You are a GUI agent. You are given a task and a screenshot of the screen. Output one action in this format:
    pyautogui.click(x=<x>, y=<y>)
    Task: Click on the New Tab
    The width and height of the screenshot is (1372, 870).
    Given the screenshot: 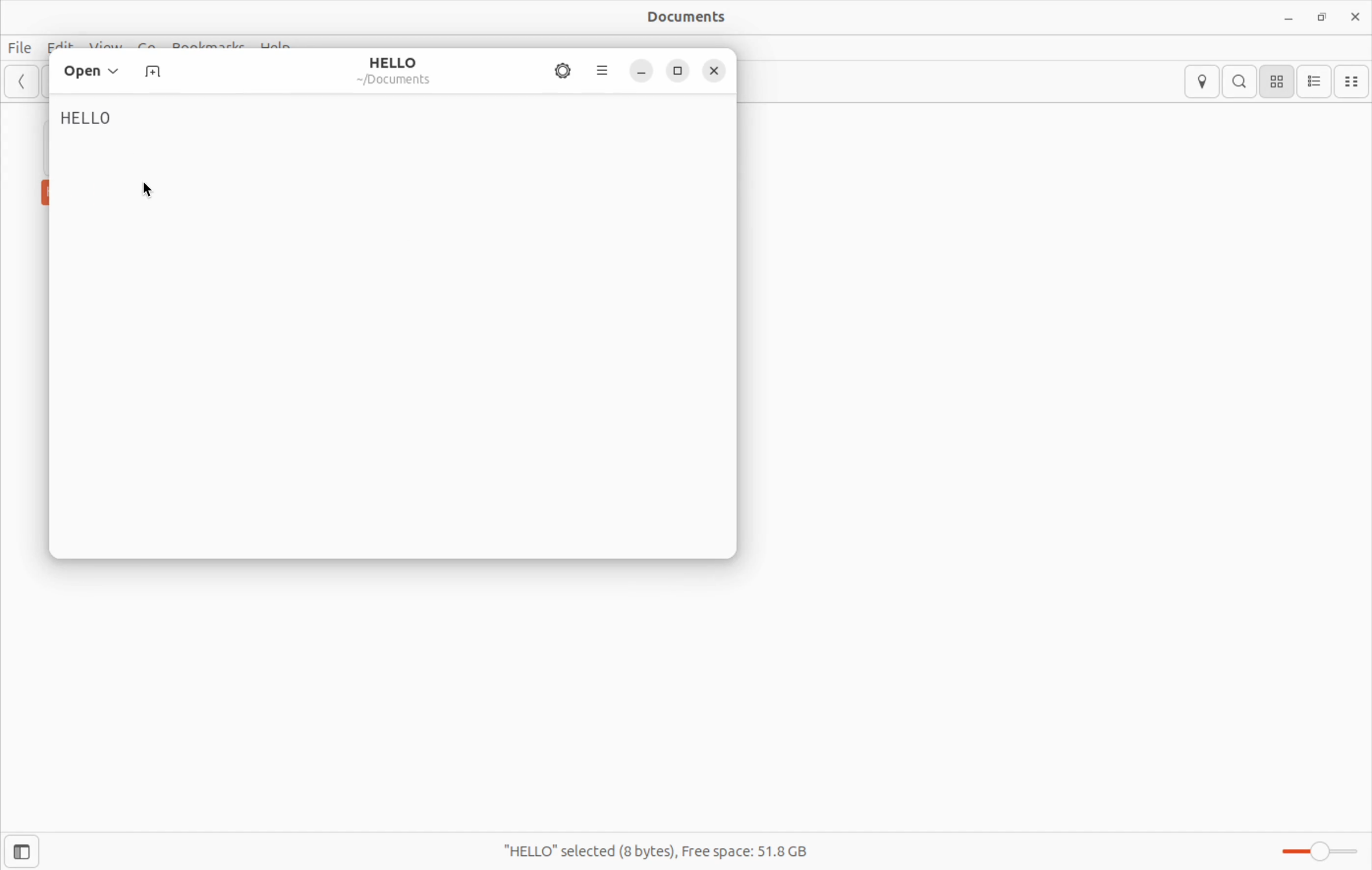 What is the action you would take?
    pyautogui.click(x=156, y=71)
    